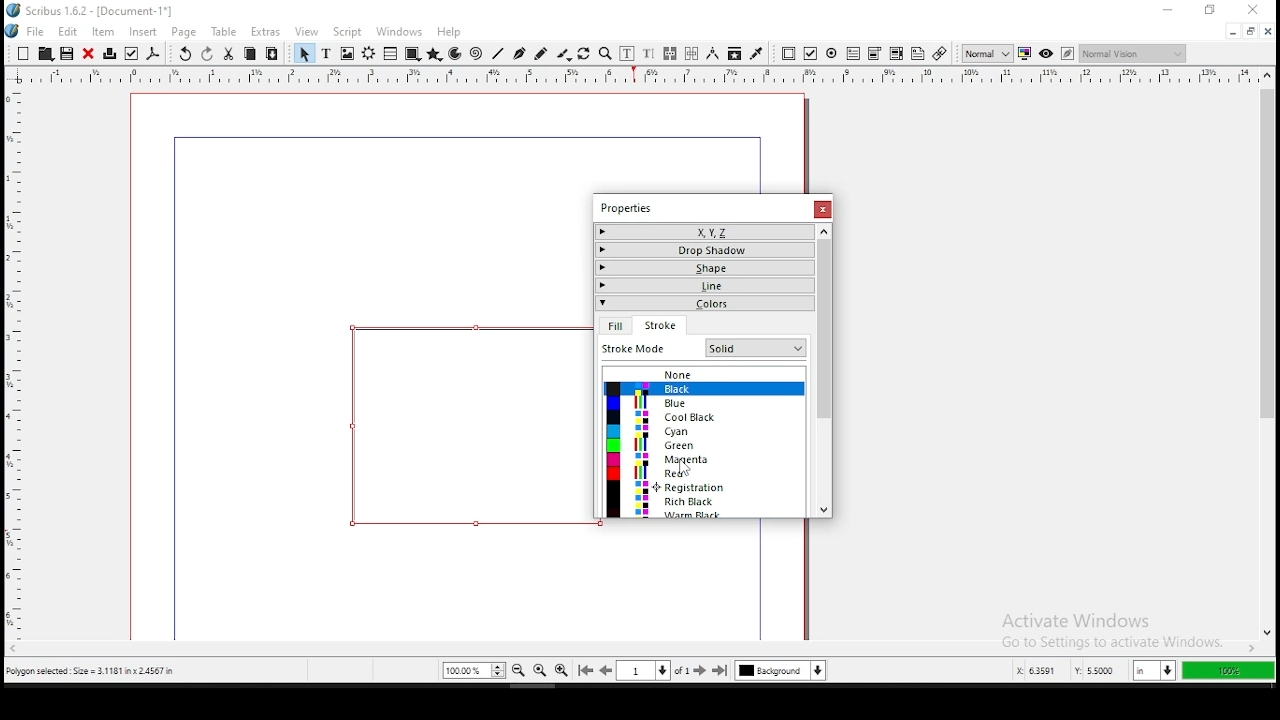 Image resolution: width=1280 pixels, height=720 pixels. Describe the element at coordinates (648, 54) in the screenshot. I see `edit text with story editor` at that location.